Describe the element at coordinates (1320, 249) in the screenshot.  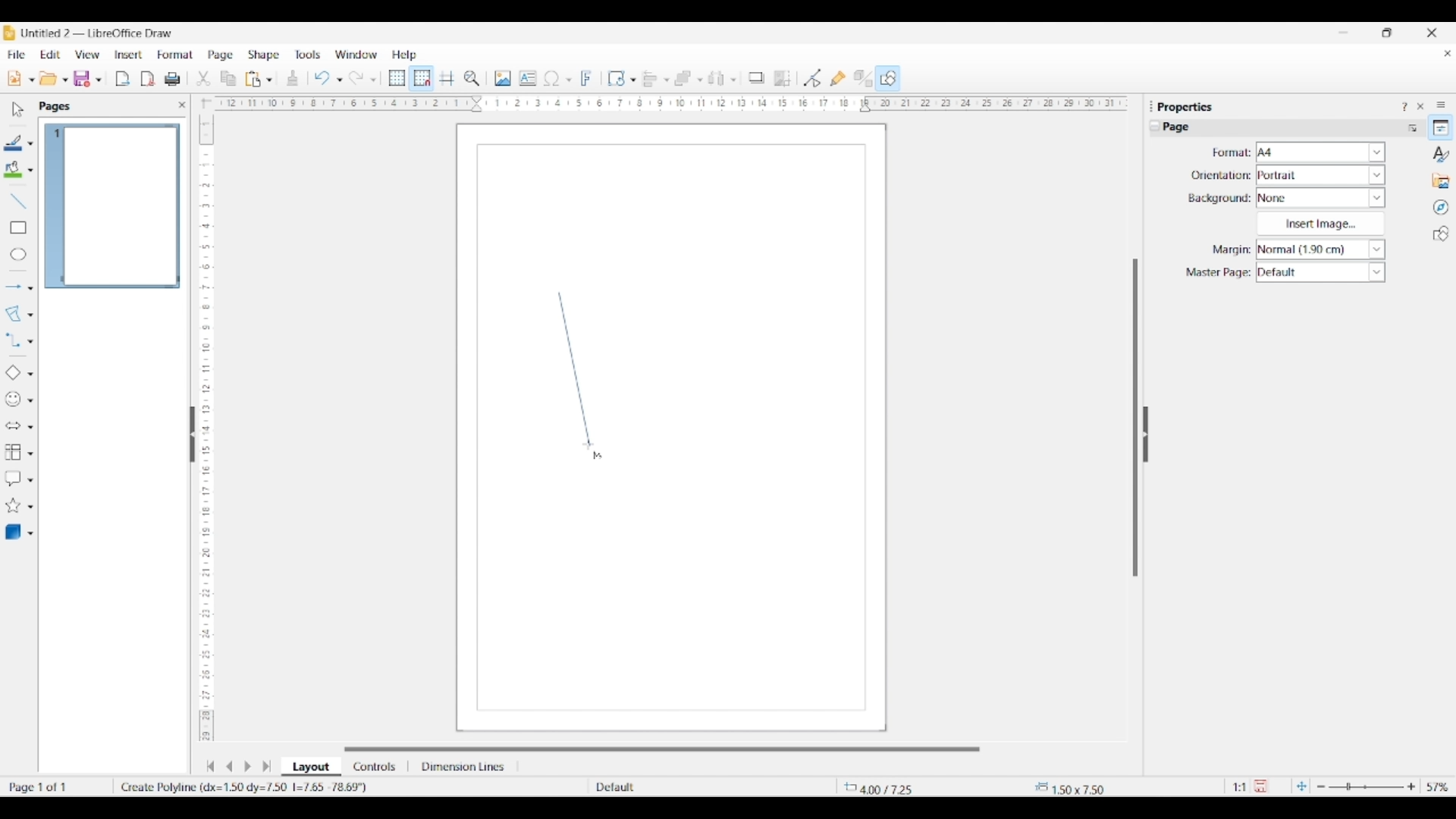
I see `Margin options` at that location.